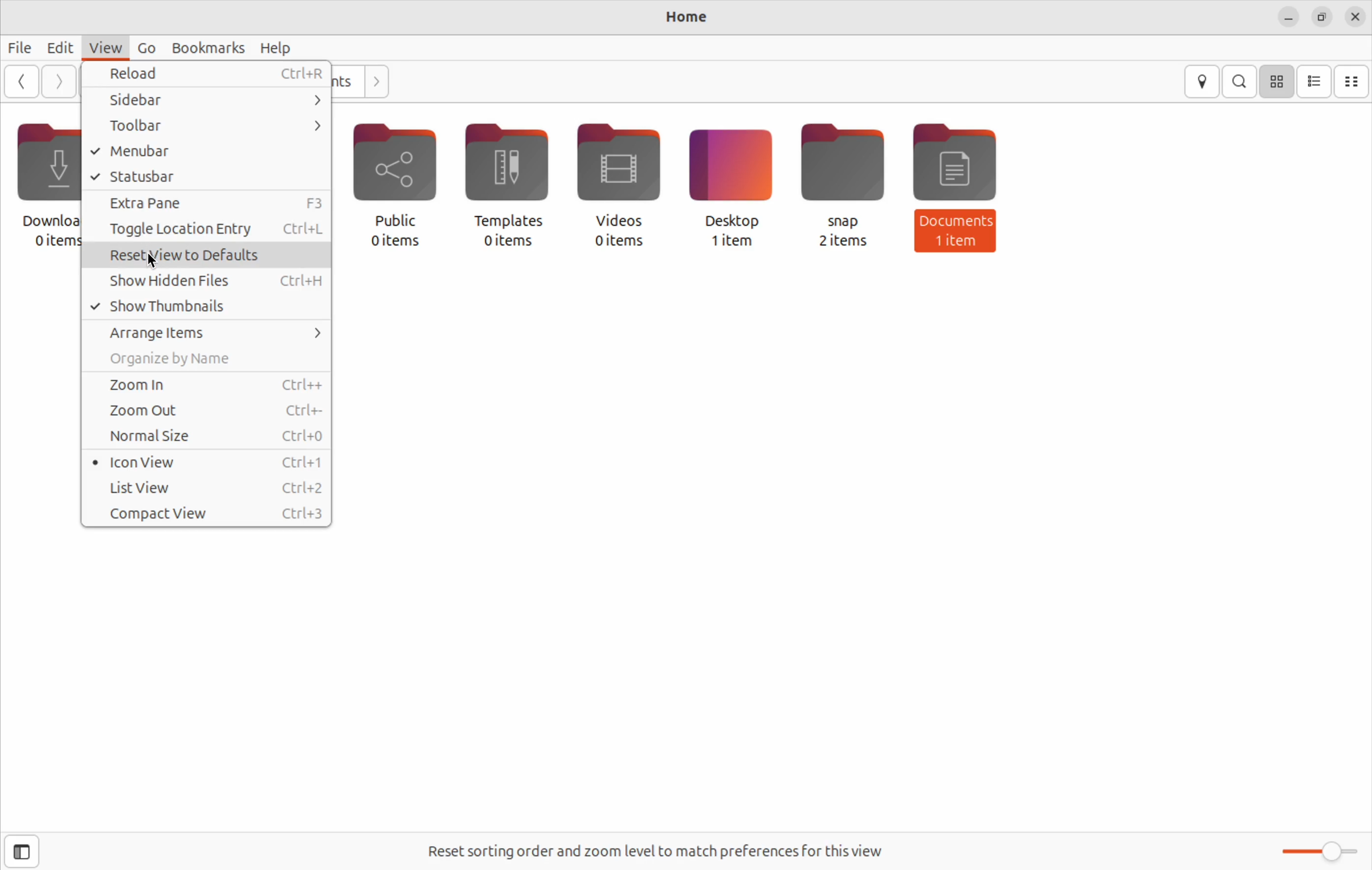 This screenshot has width=1372, height=870. I want to click on Toggle Location Entry, so click(207, 232).